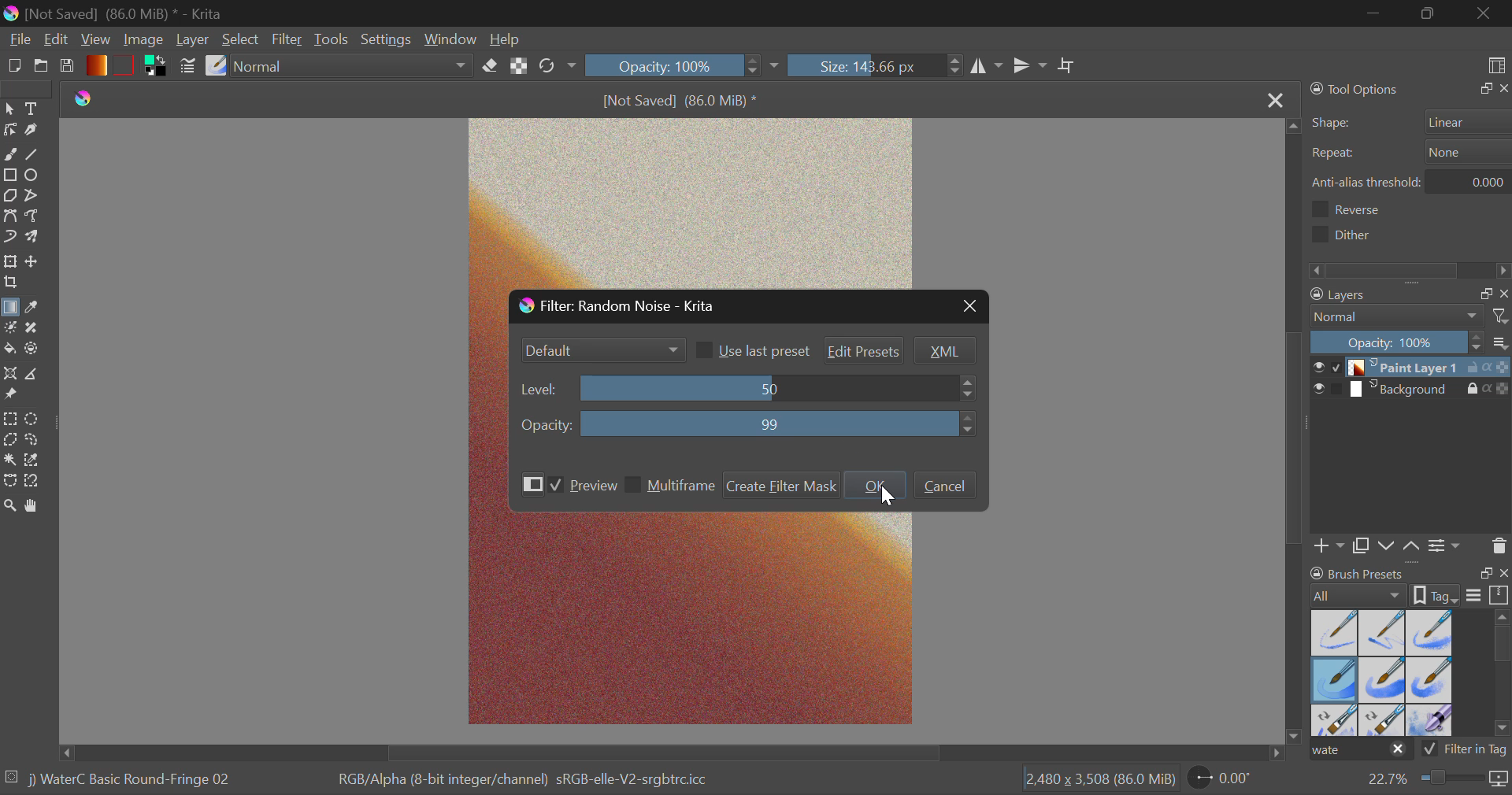 This screenshot has height=795, width=1512. I want to click on move right, so click(1273, 752).